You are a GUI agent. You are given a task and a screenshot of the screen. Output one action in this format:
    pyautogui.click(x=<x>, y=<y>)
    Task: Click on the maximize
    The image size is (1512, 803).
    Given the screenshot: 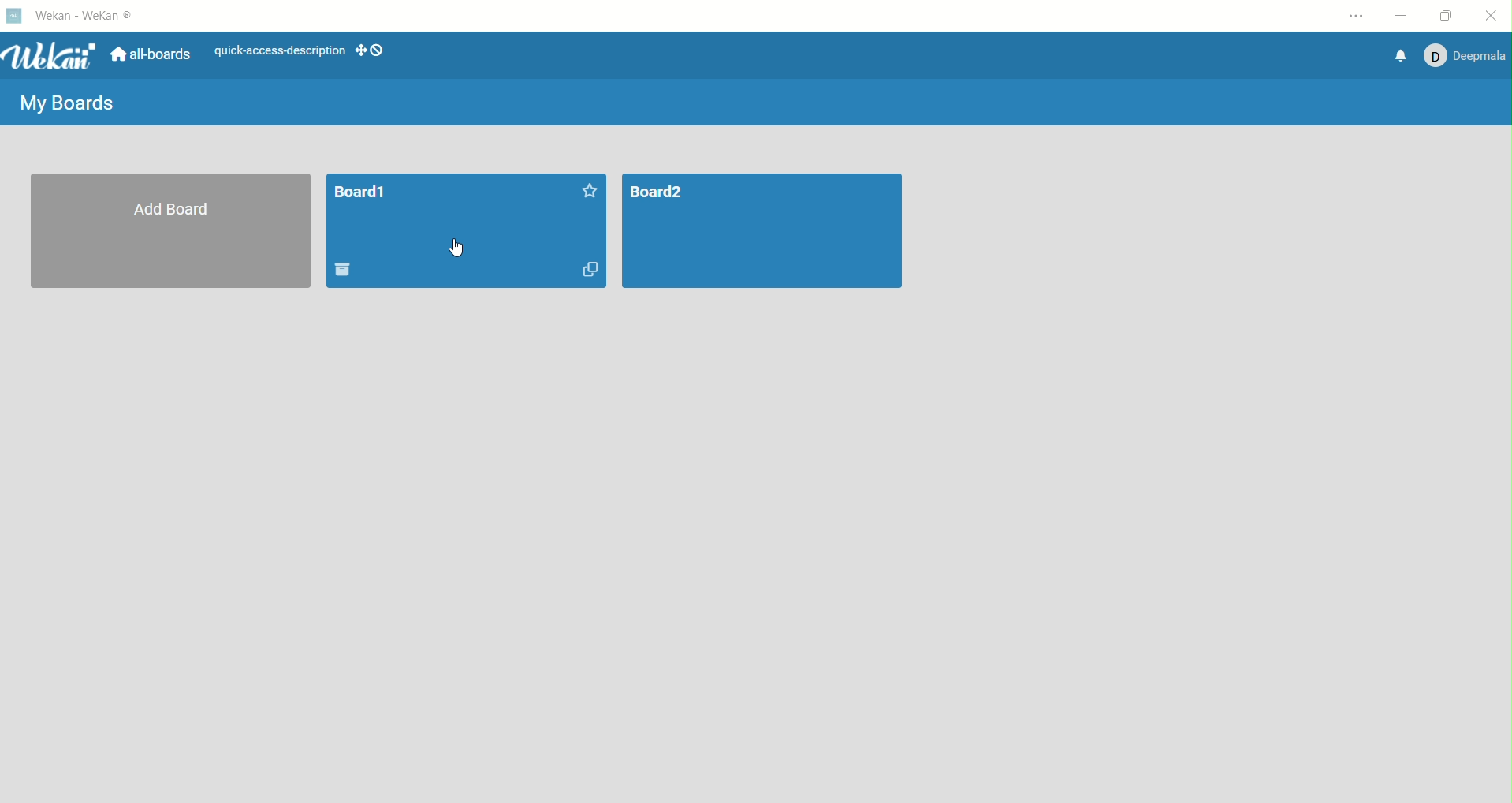 What is the action you would take?
    pyautogui.click(x=1451, y=13)
    